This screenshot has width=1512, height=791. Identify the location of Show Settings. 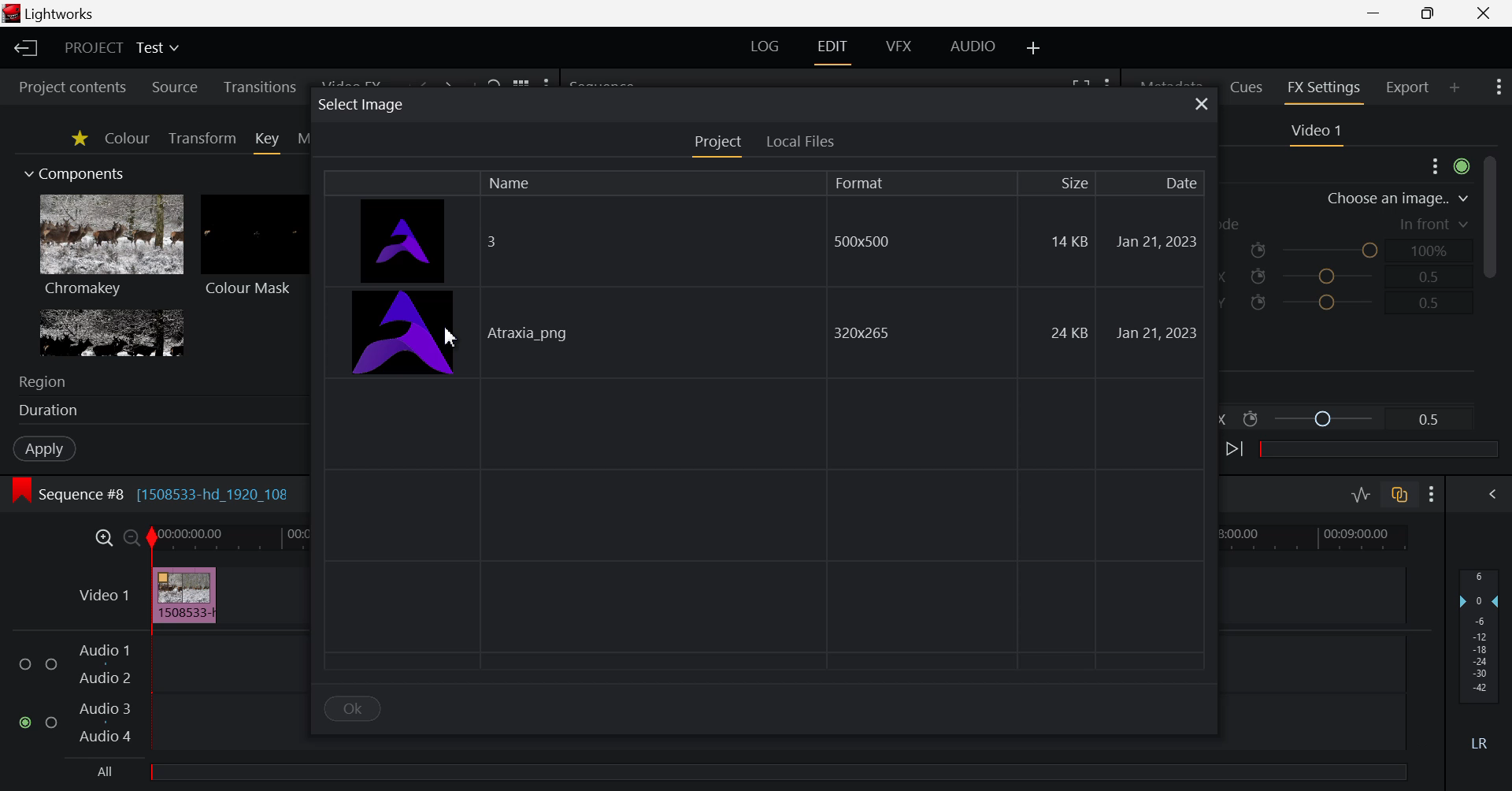
(1450, 165).